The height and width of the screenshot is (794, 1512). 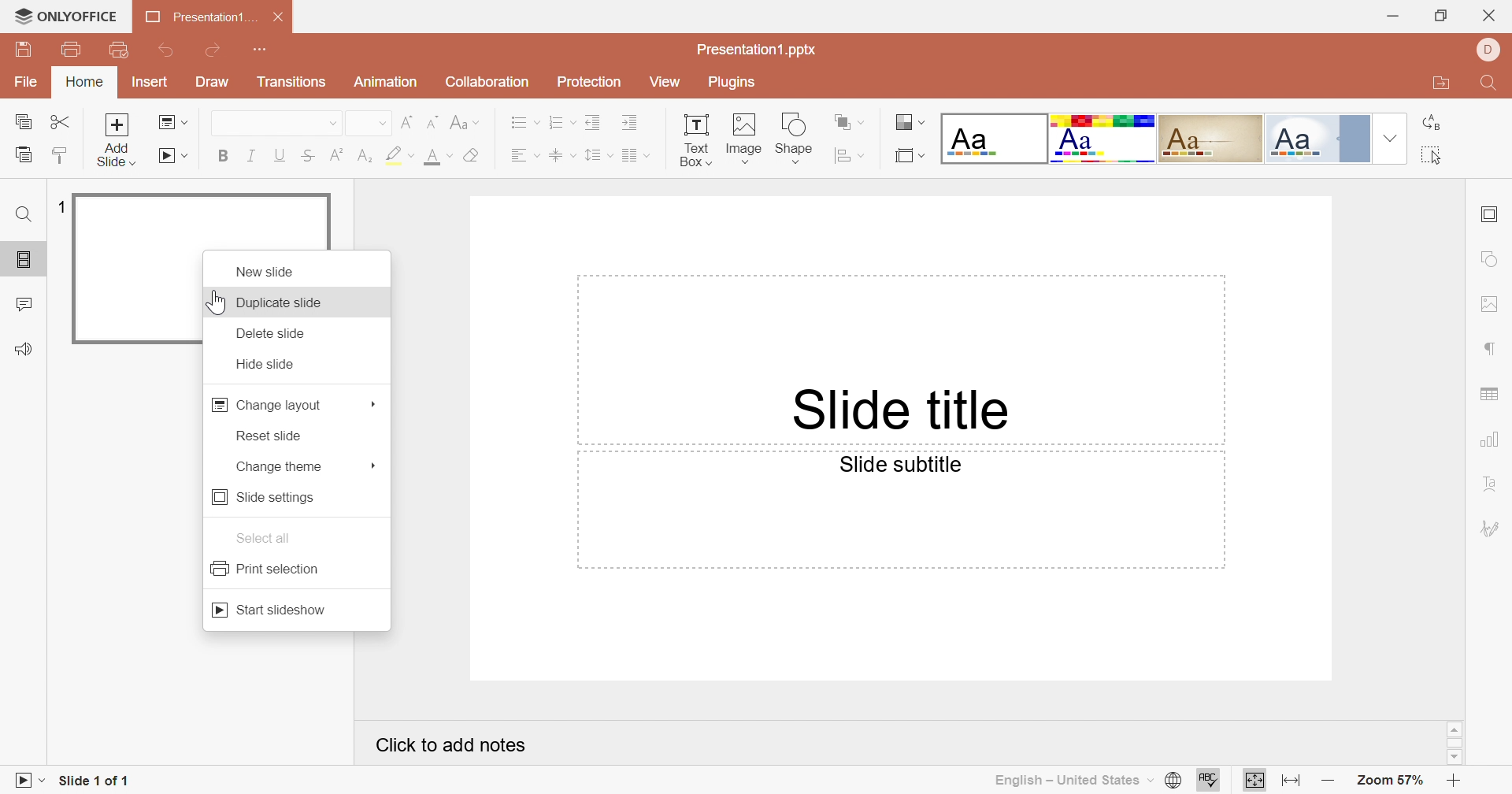 What do you see at coordinates (432, 121) in the screenshot?
I see `Decrement font size` at bounding box center [432, 121].